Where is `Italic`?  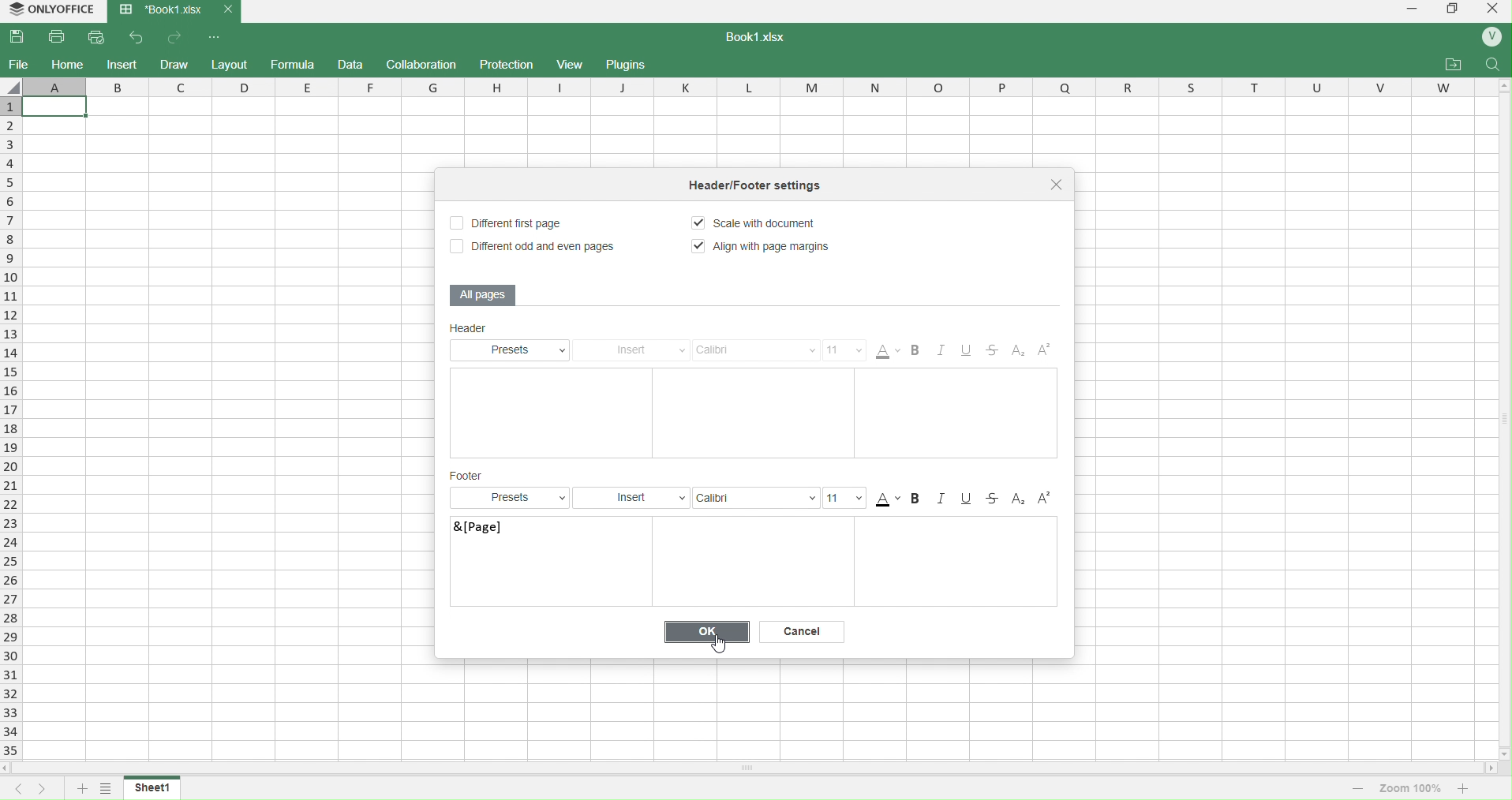
Italic is located at coordinates (945, 352).